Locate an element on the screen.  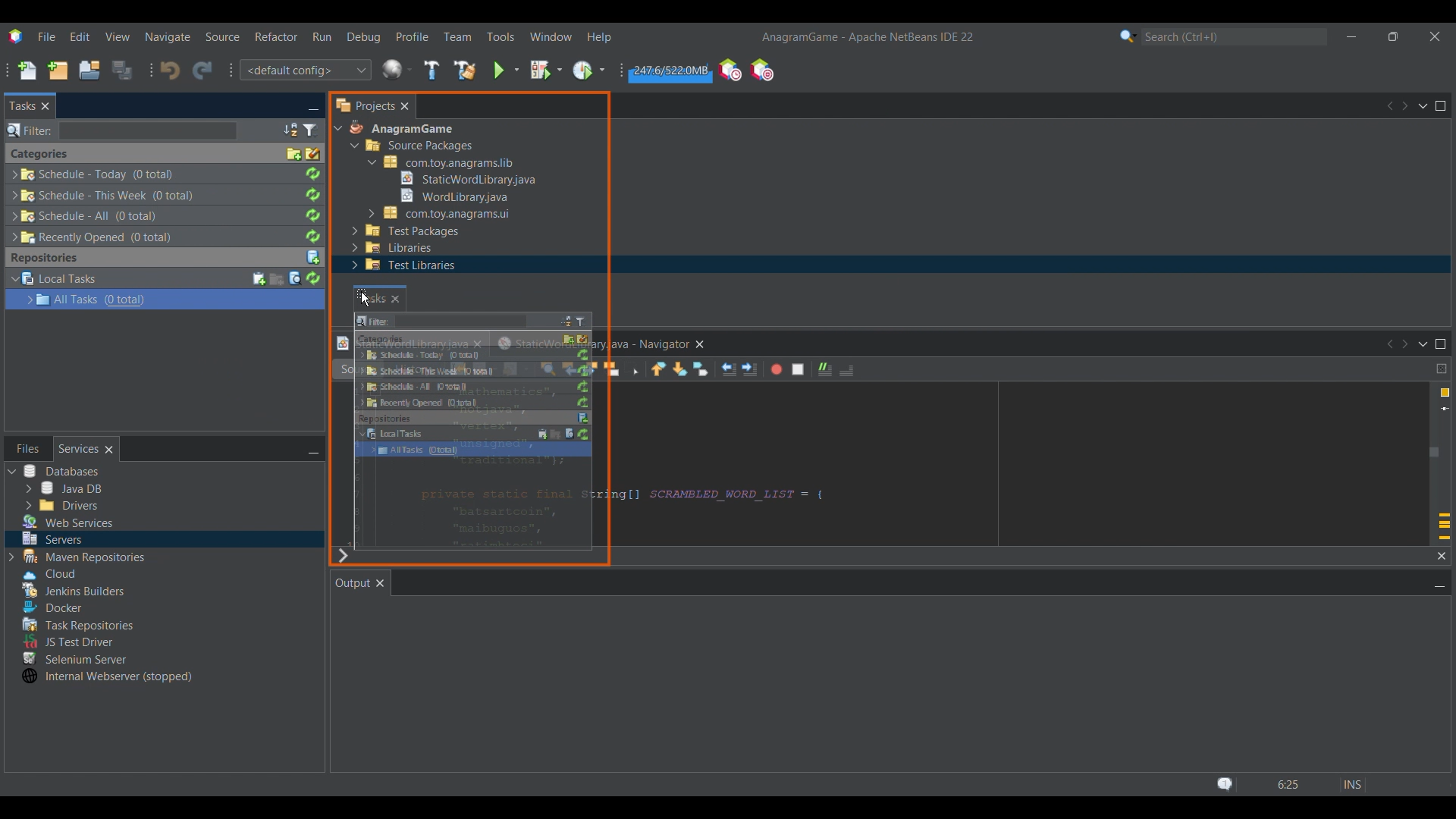
Add override annotation is located at coordinates (1444, 527).